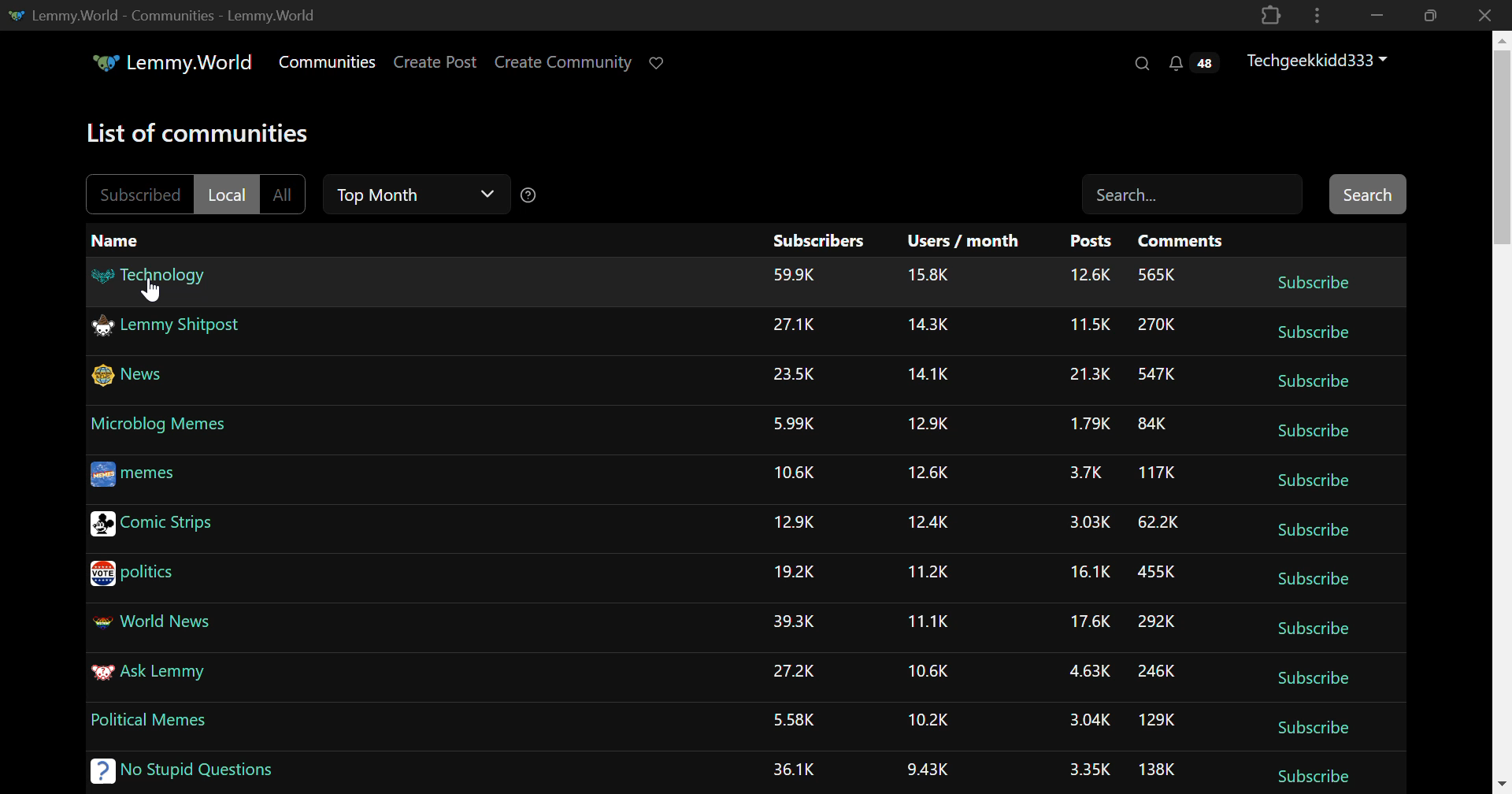 The width and height of the screenshot is (1512, 794). I want to click on 11.2K, so click(927, 573).